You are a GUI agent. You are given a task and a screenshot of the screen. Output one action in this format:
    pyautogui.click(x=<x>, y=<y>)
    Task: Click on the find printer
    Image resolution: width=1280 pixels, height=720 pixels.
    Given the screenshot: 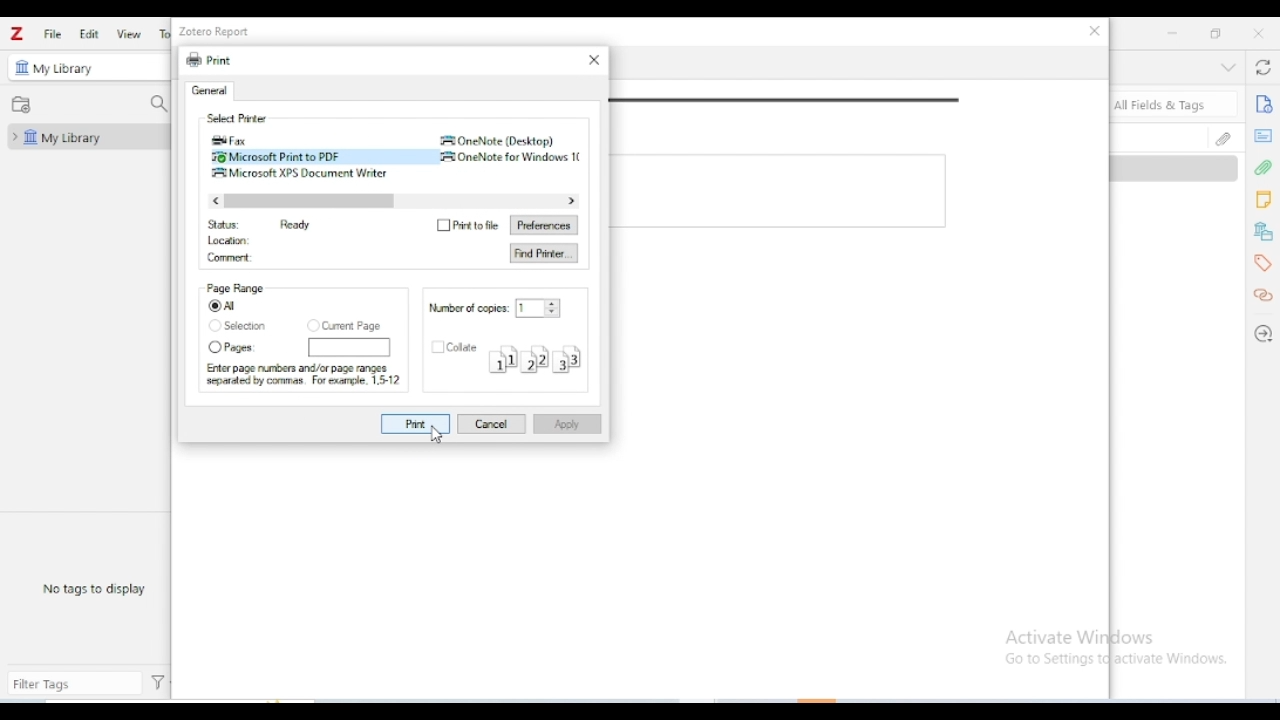 What is the action you would take?
    pyautogui.click(x=543, y=253)
    